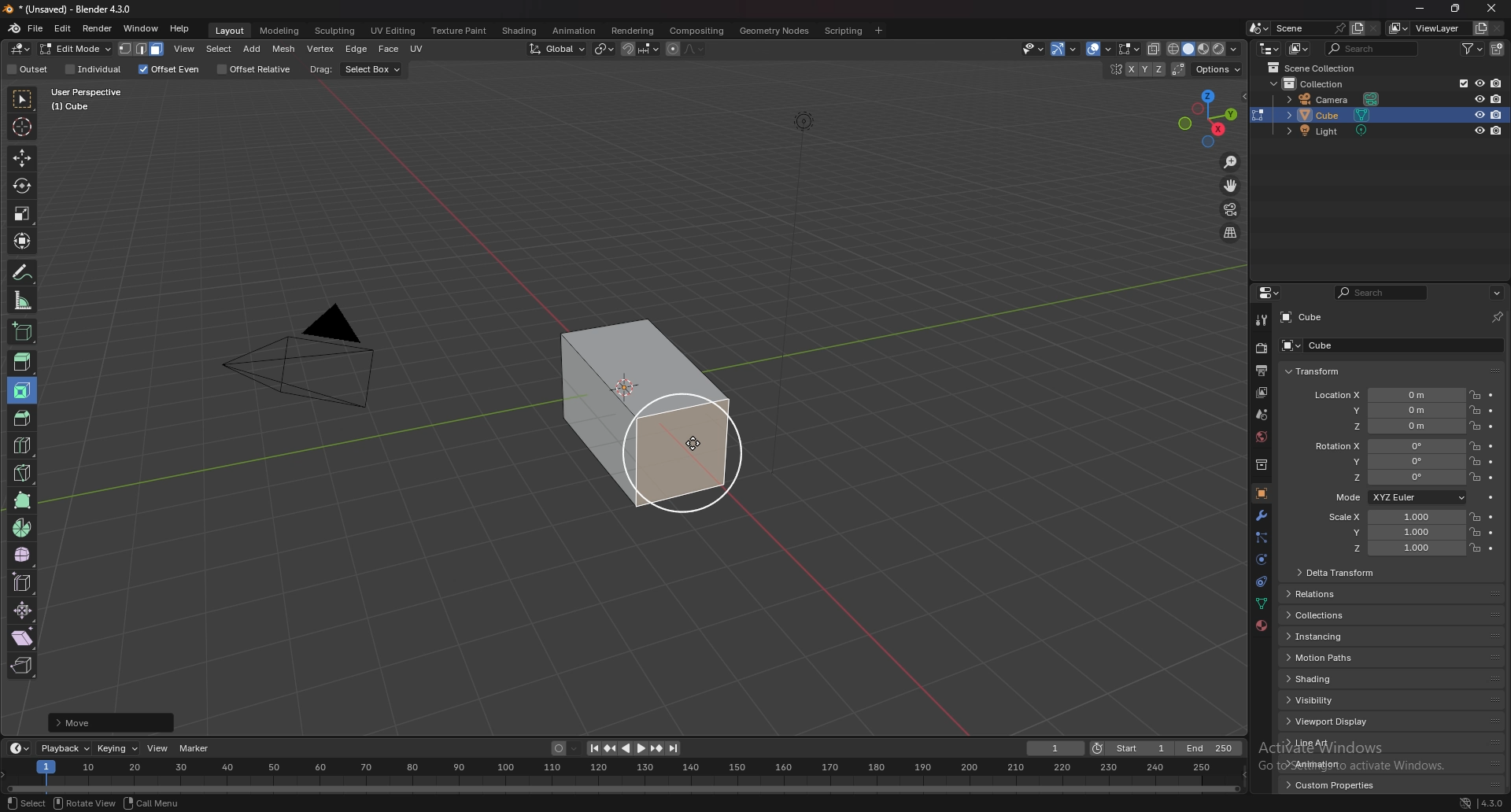 This screenshot has height=812, width=1511. What do you see at coordinates (1260, 465) in the screenshot?
I see `collection` at bounding box center [1260, 465].